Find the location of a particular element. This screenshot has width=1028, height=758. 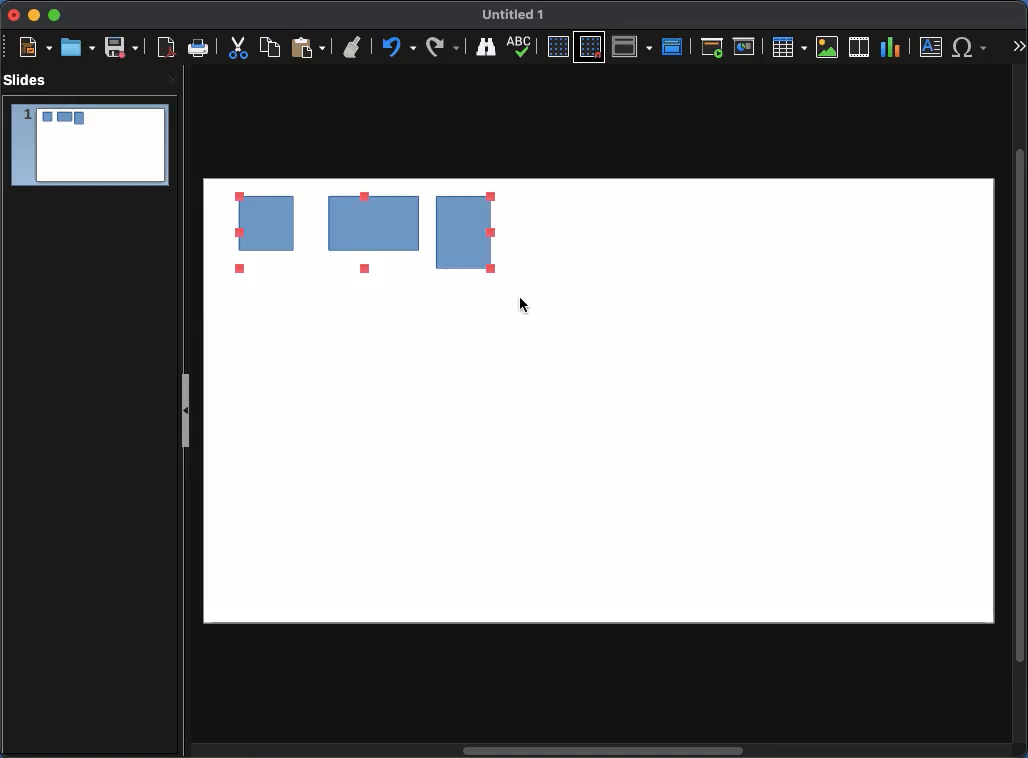

Name is located at coordinates (515, 13).